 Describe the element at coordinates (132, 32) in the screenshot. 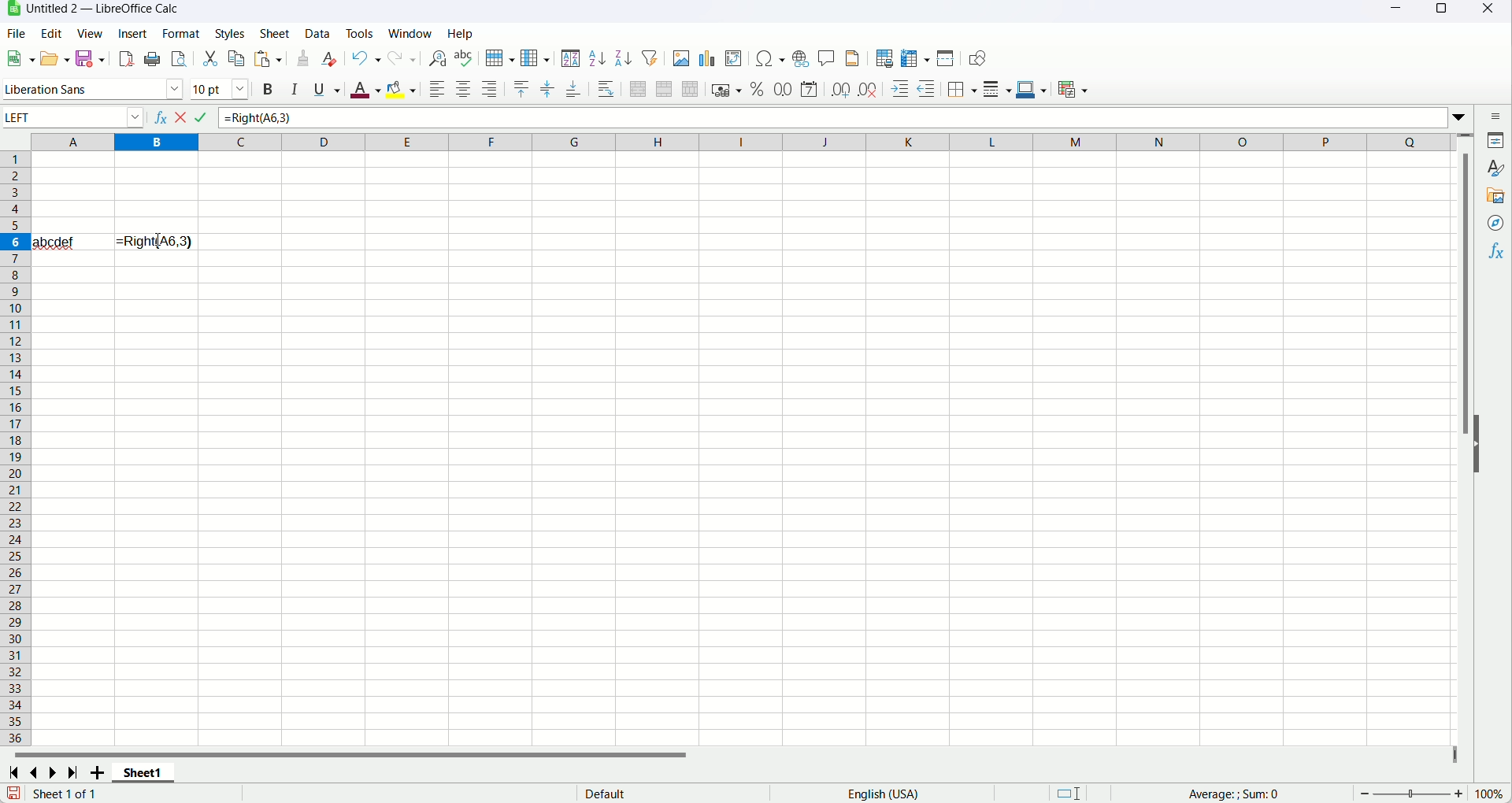

I see `insert` at that location.